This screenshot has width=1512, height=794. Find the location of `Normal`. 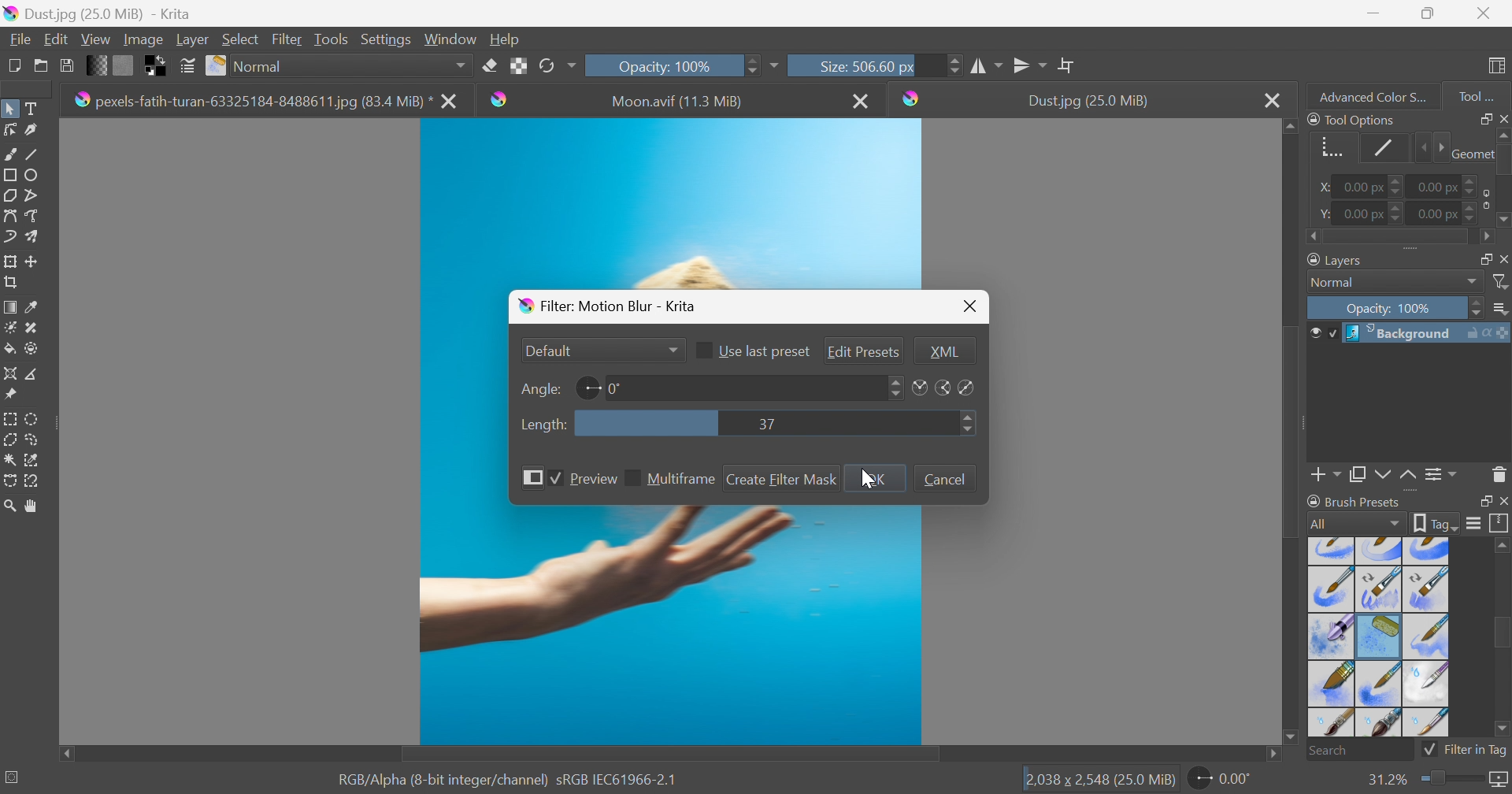

Normal is located at coordinates (1337, 283).